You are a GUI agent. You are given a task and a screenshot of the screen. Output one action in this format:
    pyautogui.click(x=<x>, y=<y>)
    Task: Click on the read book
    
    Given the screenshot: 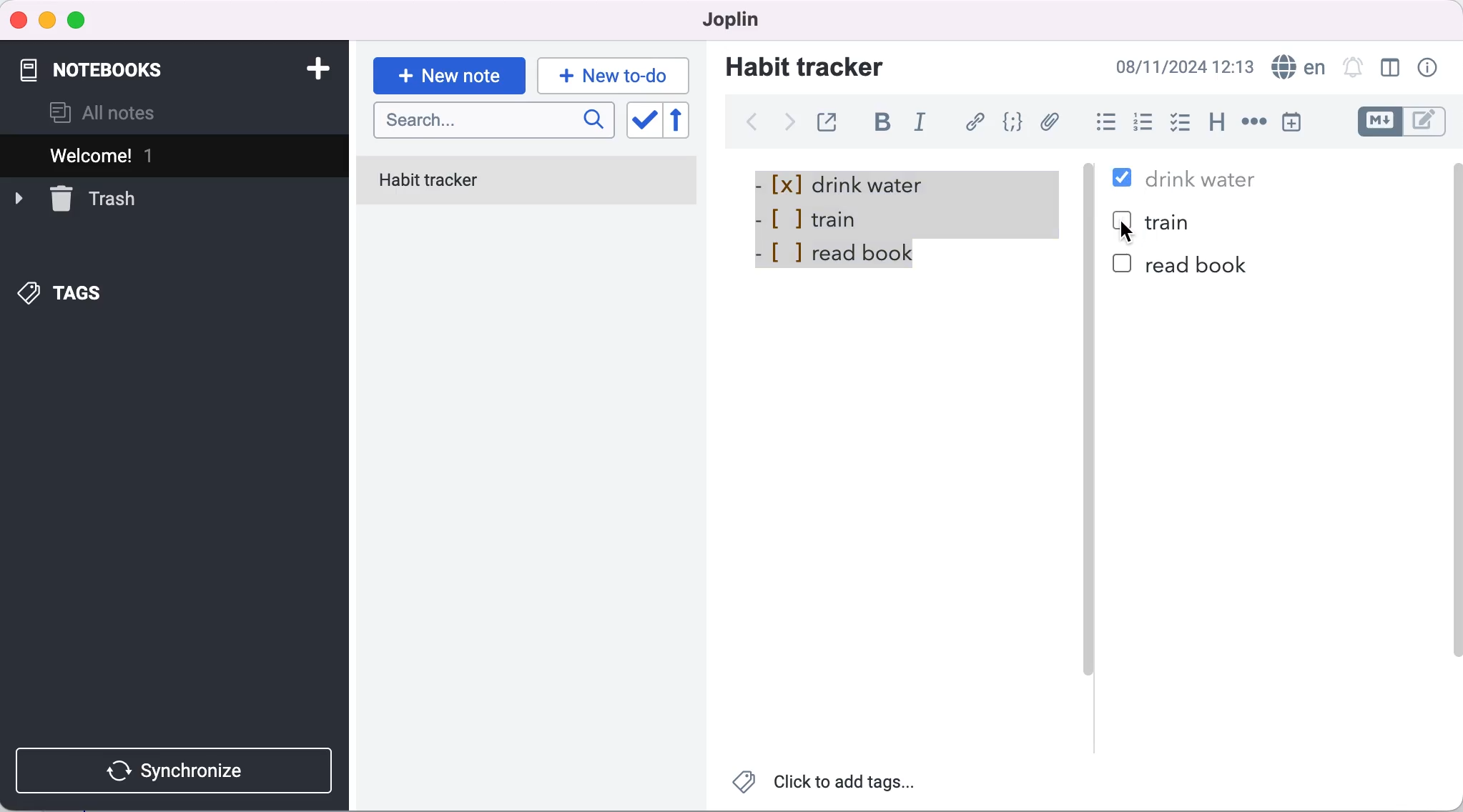 What is the action you would take?
    pyautogui.click(x=1198, y=264)
    